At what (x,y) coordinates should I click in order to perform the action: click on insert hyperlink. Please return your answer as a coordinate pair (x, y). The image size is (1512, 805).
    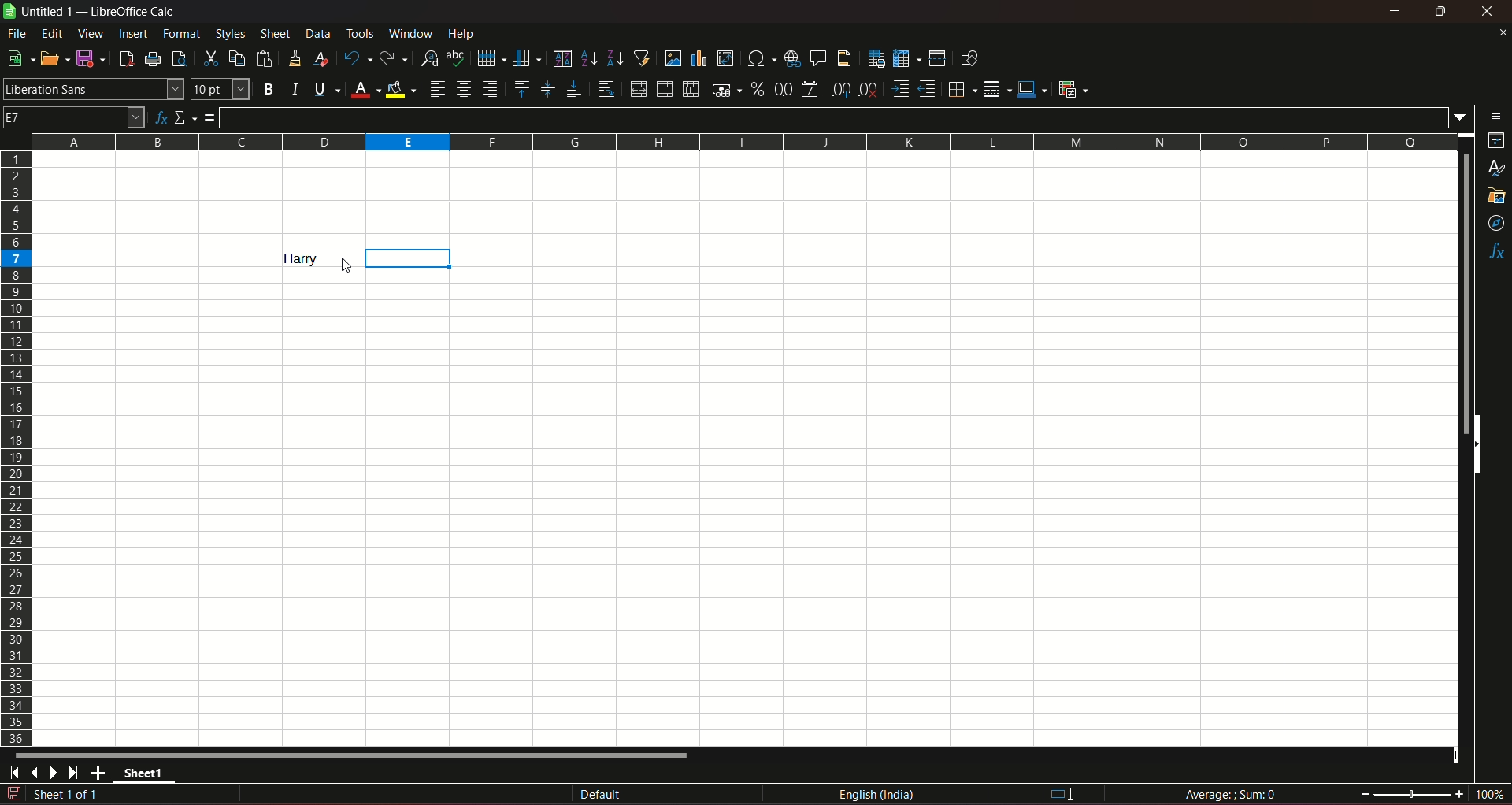
    Looking at the image, I should click on (790, 57).